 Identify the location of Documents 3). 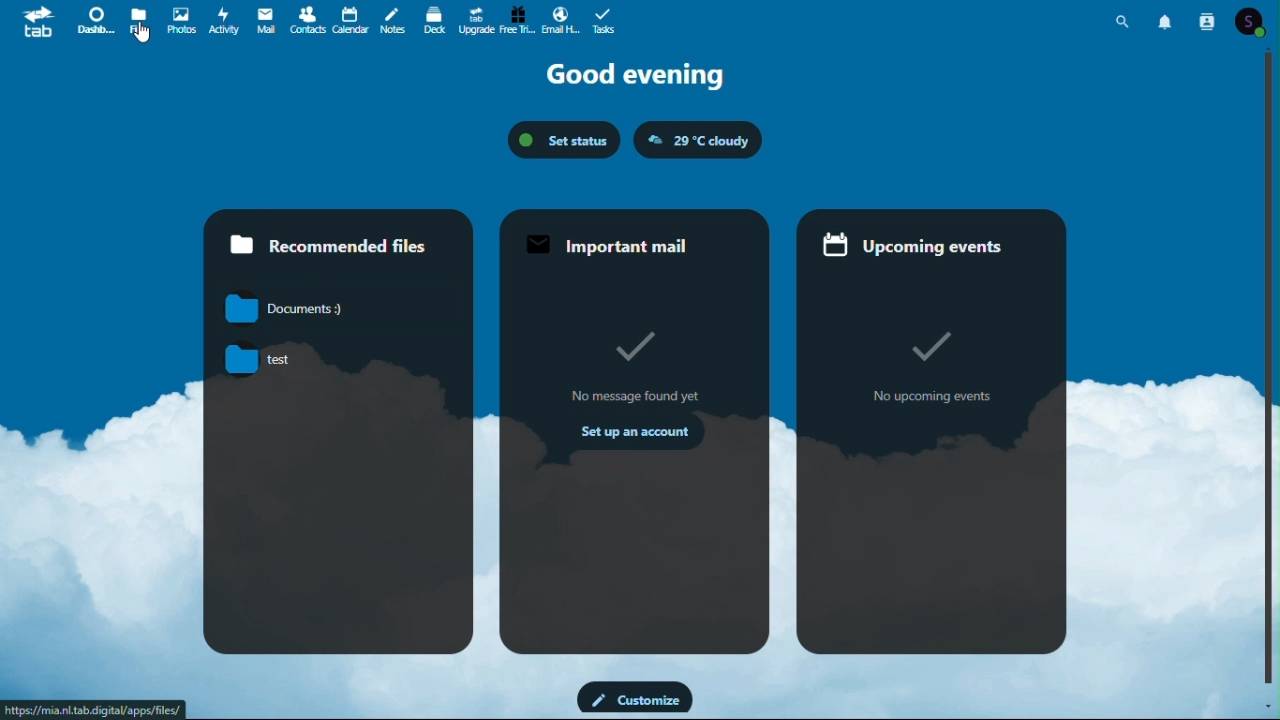
(299, 309).